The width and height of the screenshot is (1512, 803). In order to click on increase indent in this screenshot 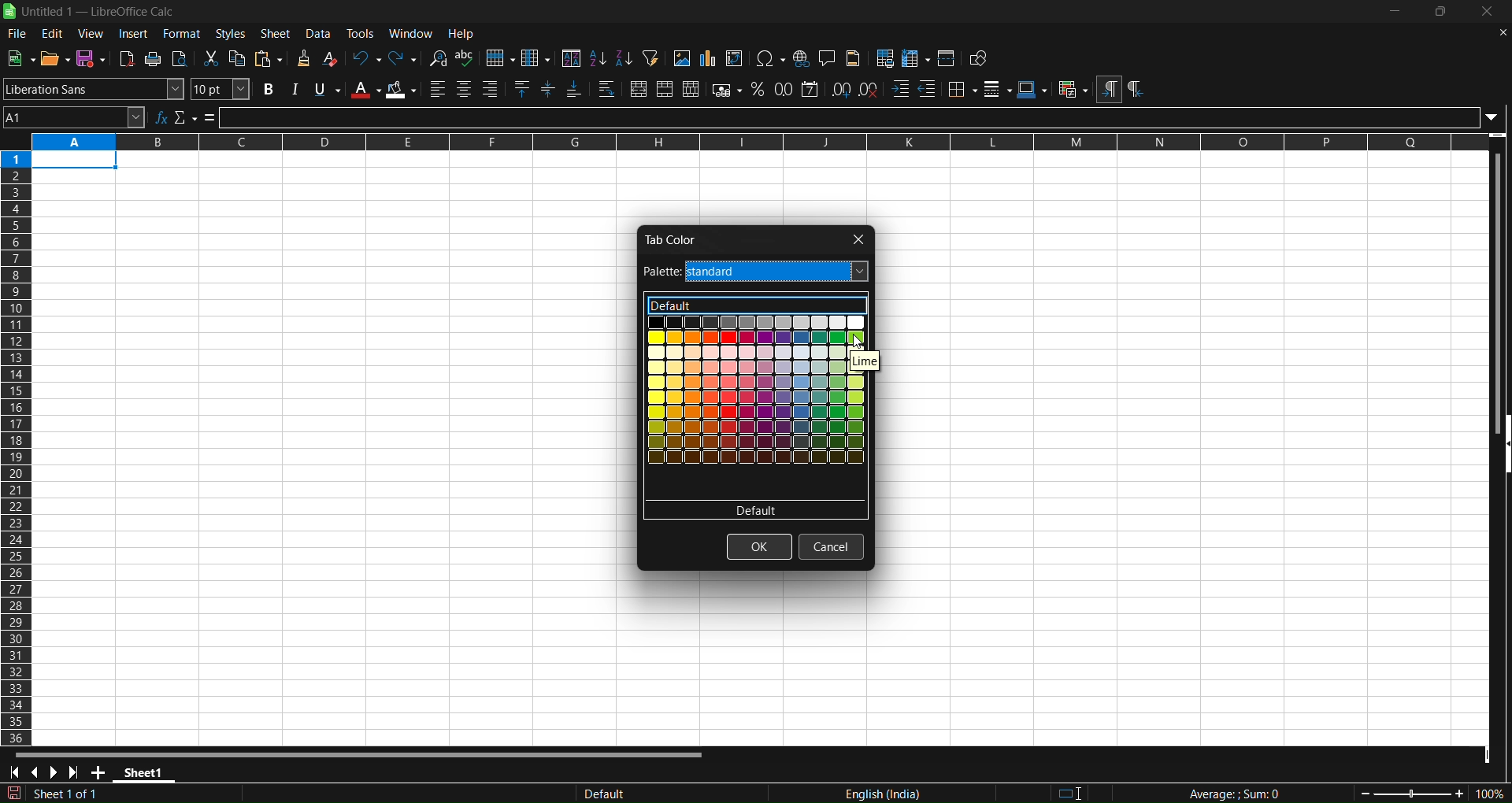, I will do `click(900, 90)`.